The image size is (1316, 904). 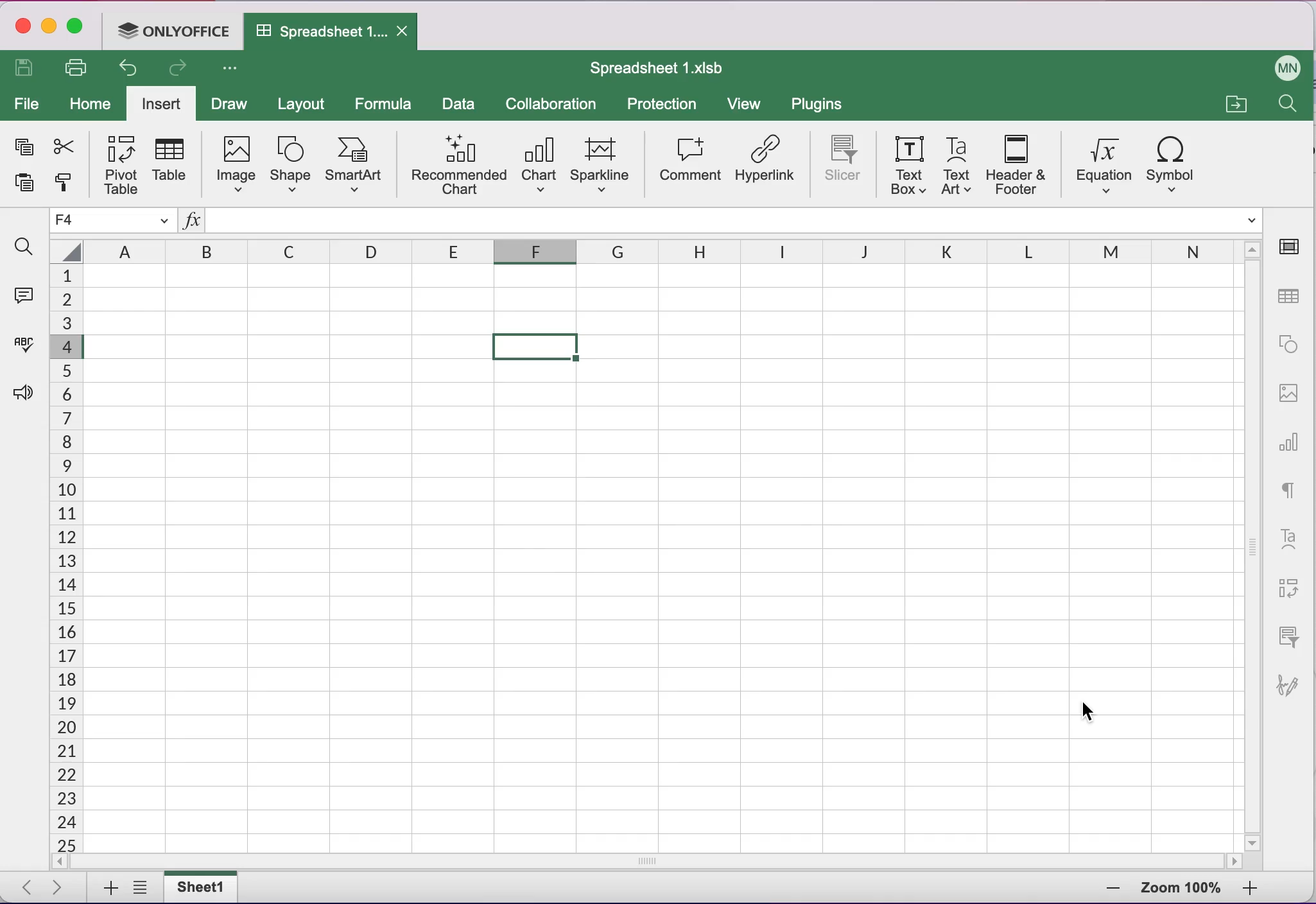 What do you see at coordinates (666, 71) in the screenshot?
I see `spreadsheet 1.xlsx` at bounding box center [666, 71].